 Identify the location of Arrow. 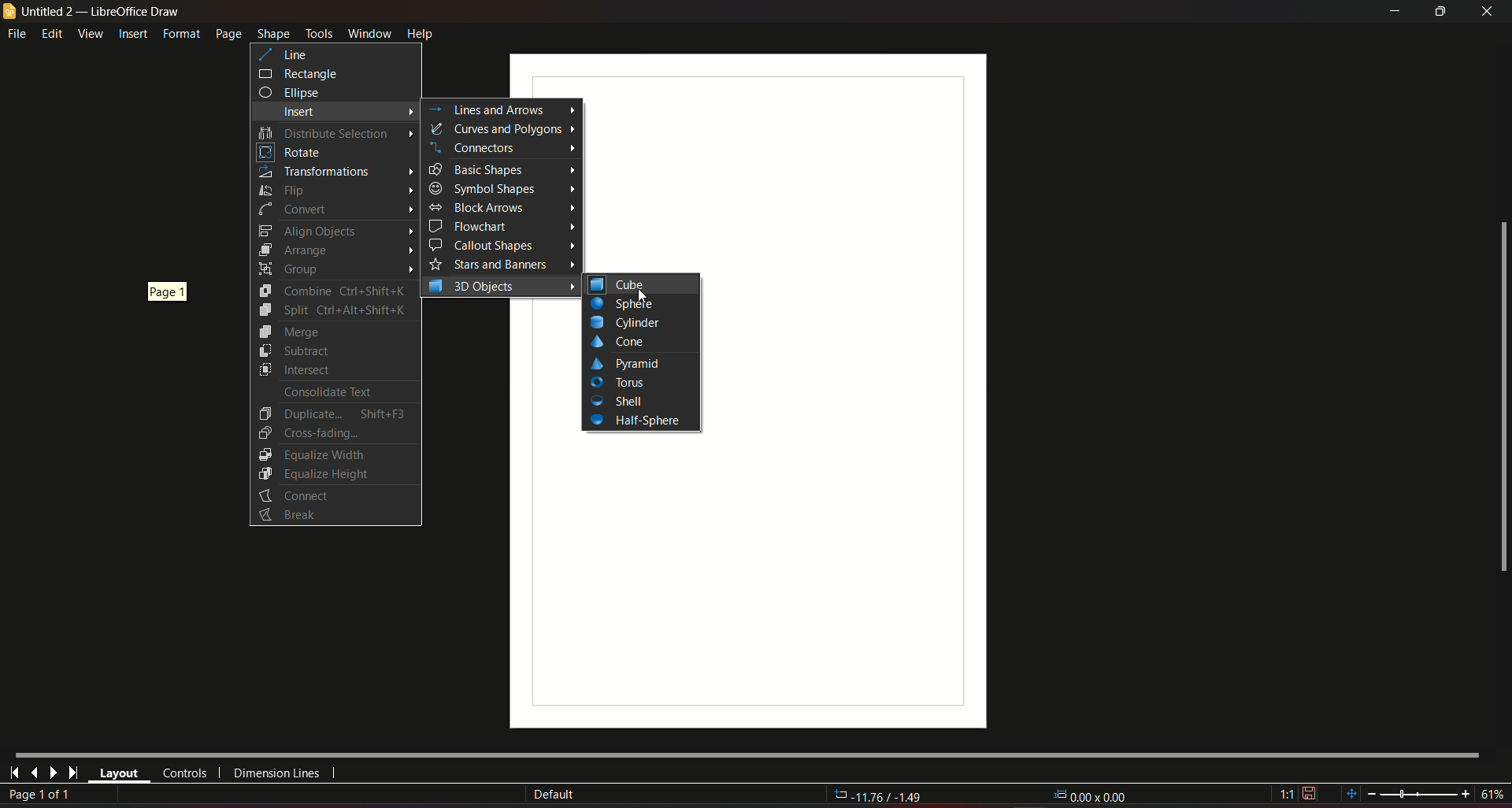
(410, 132).